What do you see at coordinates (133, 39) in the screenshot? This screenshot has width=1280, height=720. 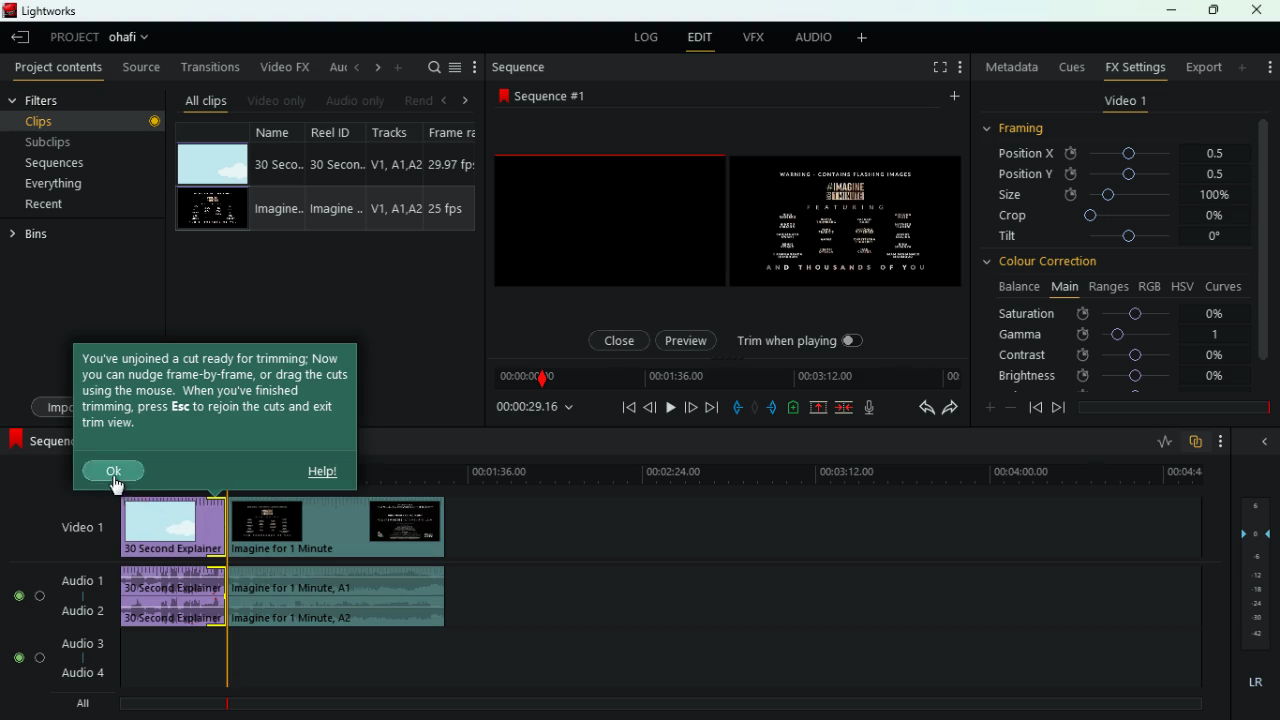 I see `project name` at bounding box center [133, 39].